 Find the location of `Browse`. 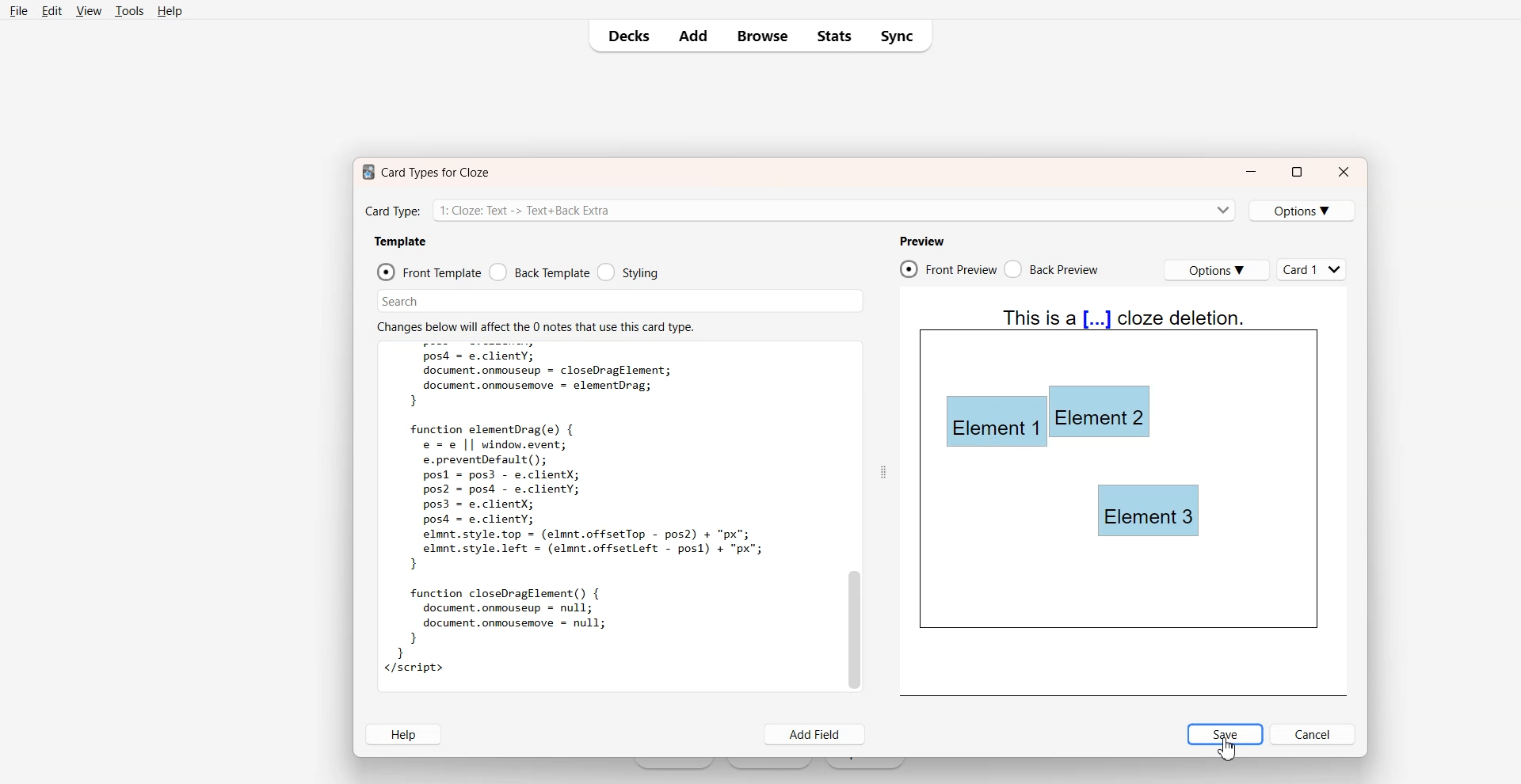

Browse is located at coordinates (761, 36).